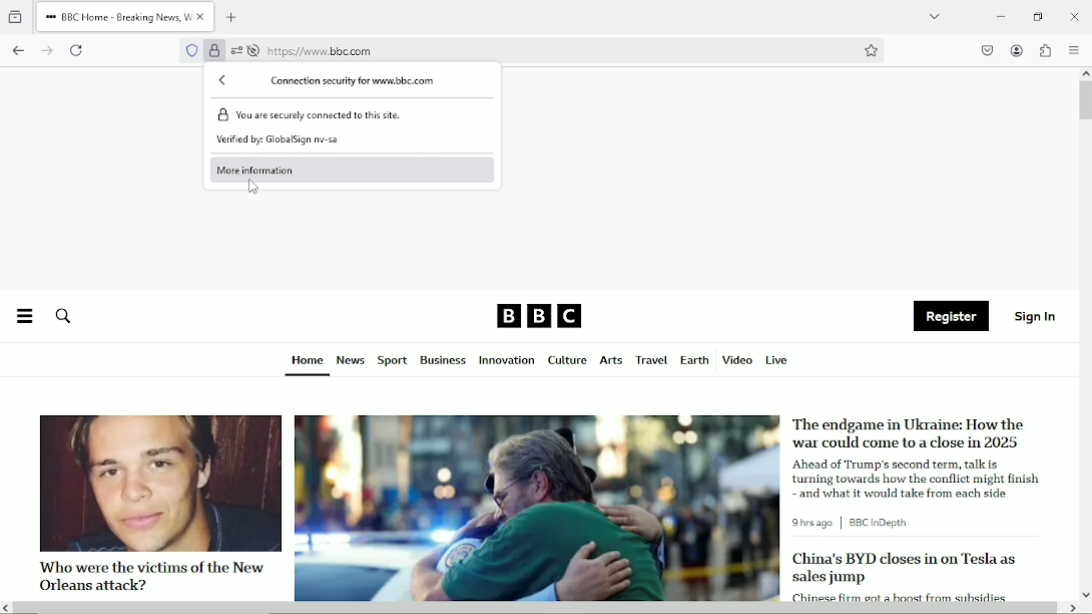  What do you see at coordinates (354, 115) in the screenshot?
I see `You are securely connected to this site` at bounding box center [354, 115].